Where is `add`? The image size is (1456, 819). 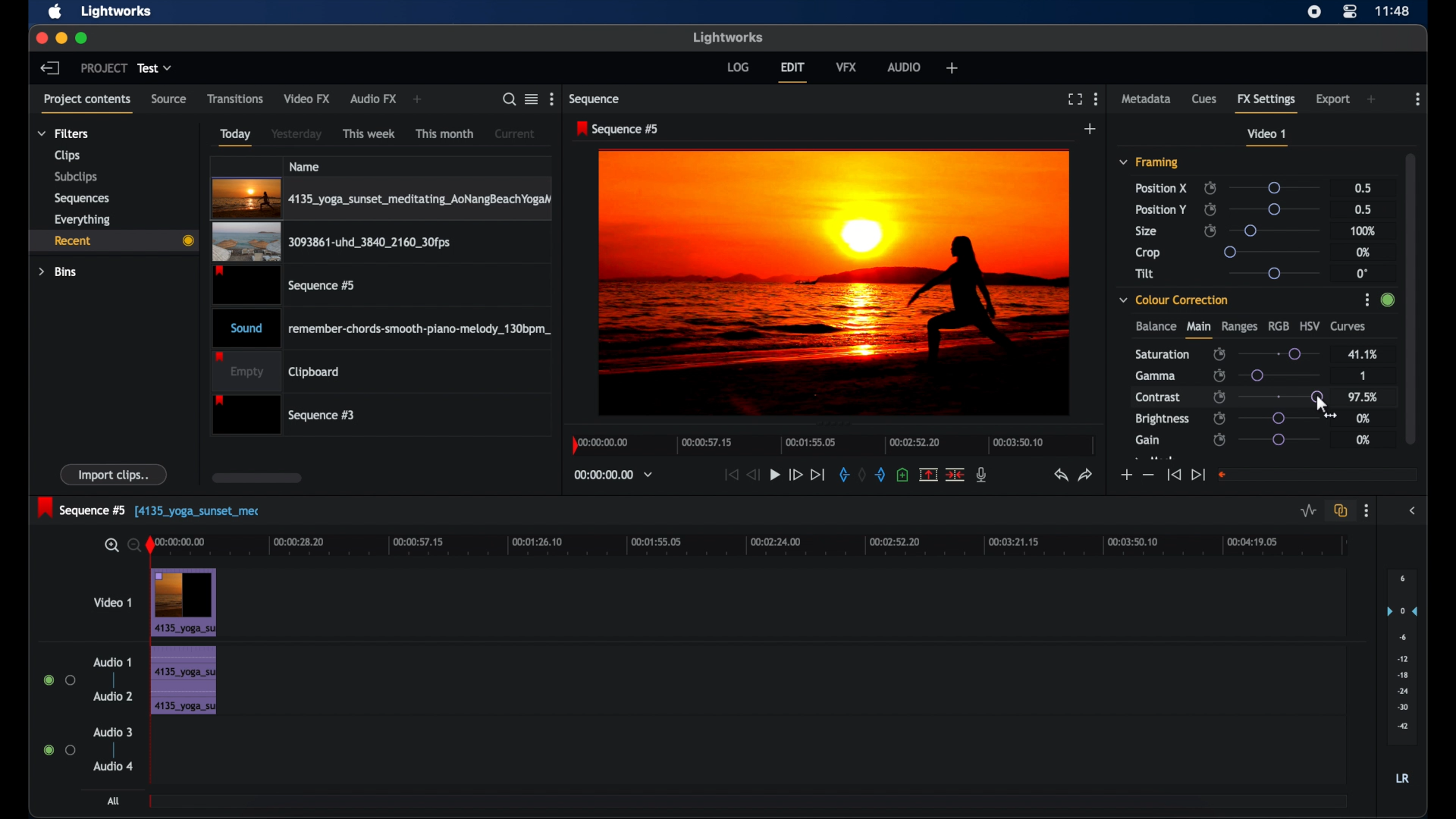 add is located at coordinates (1090, 129).